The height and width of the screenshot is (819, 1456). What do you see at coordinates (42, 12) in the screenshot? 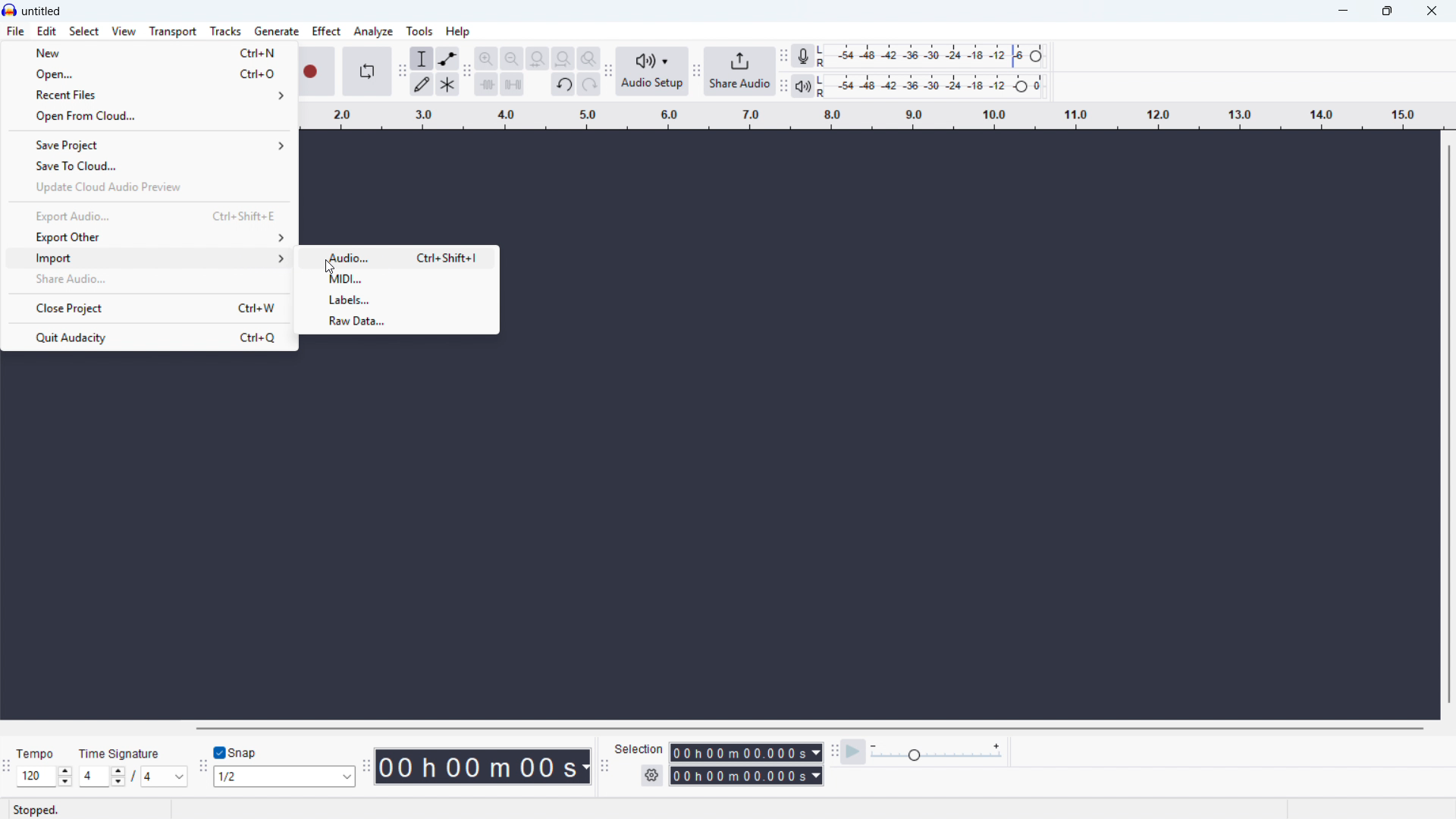
I see `untitled` at bounding box center [42, 12].